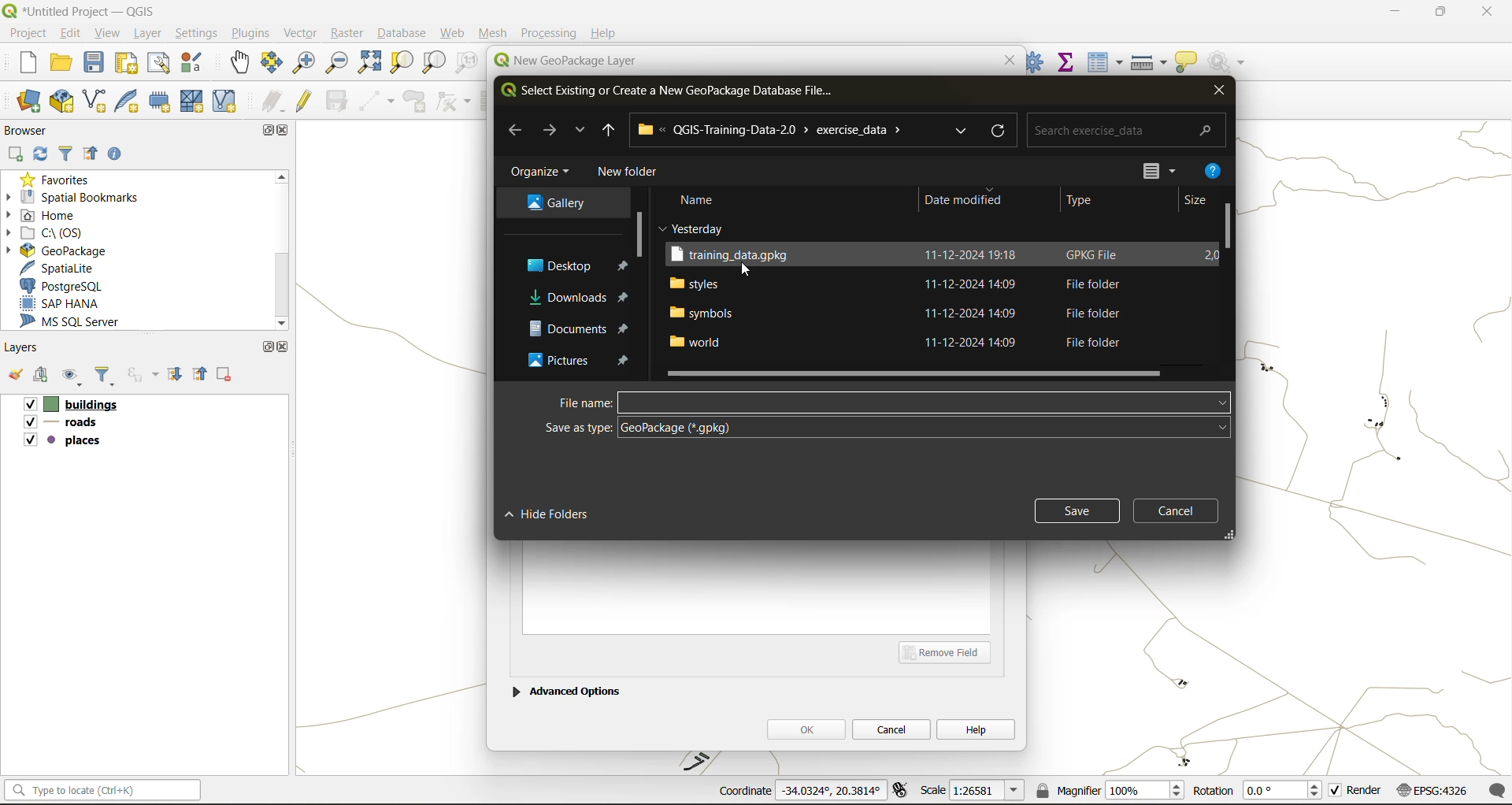 The image size is (1512, 805). Describe the element at coordinates (194, 63) in the screenshot. I see `style manager` at that location.